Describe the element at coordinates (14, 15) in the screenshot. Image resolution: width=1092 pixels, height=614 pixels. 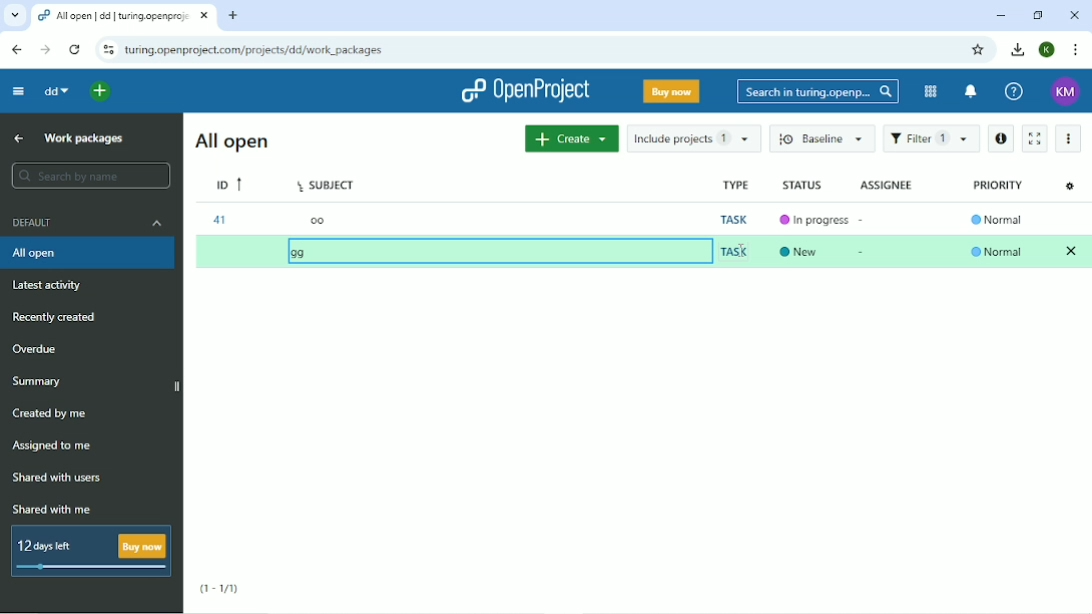
I see `Search tabs` at that location.